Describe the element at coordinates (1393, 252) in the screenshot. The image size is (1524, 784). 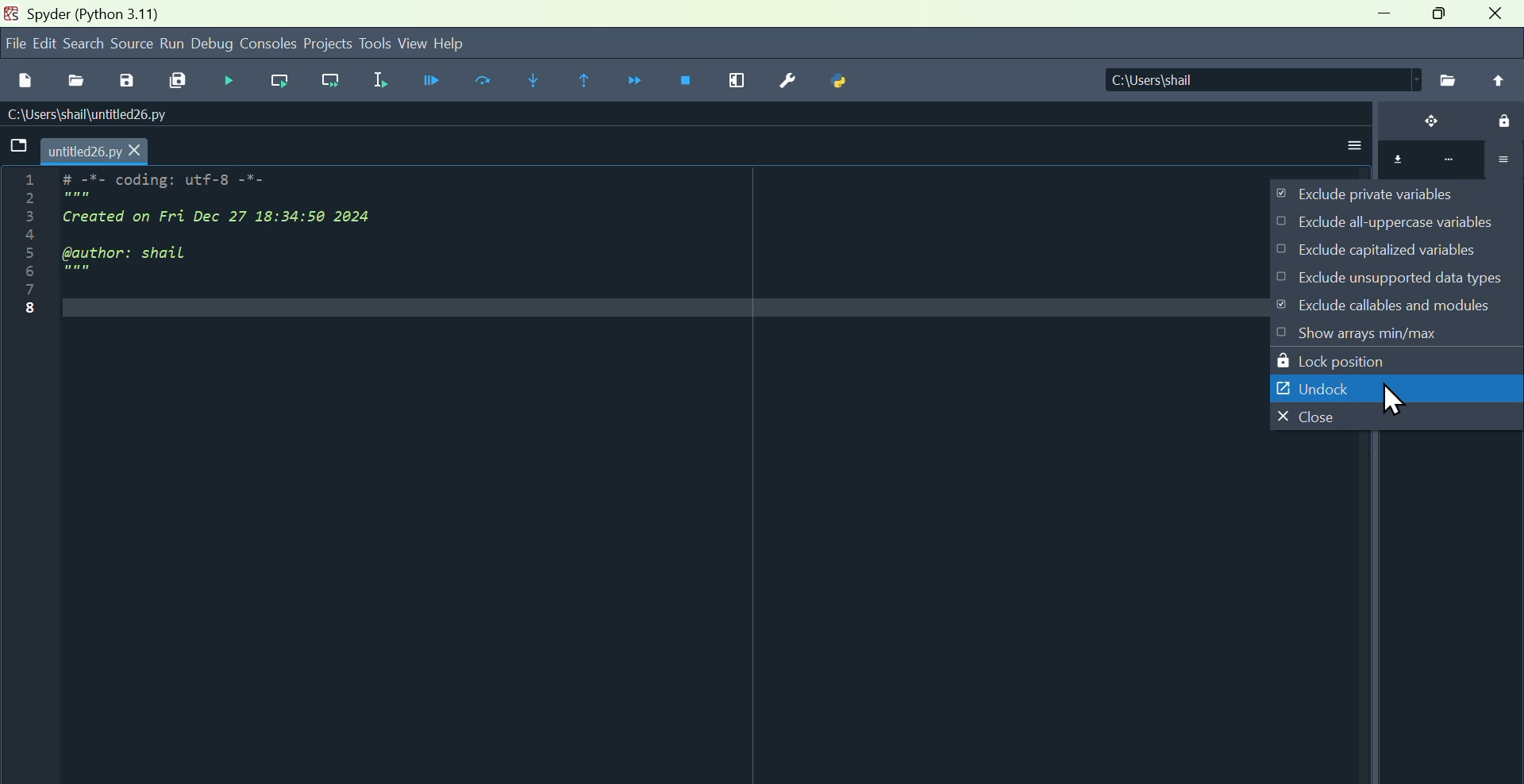
I see `O Exclude capitalized variable` at that location.